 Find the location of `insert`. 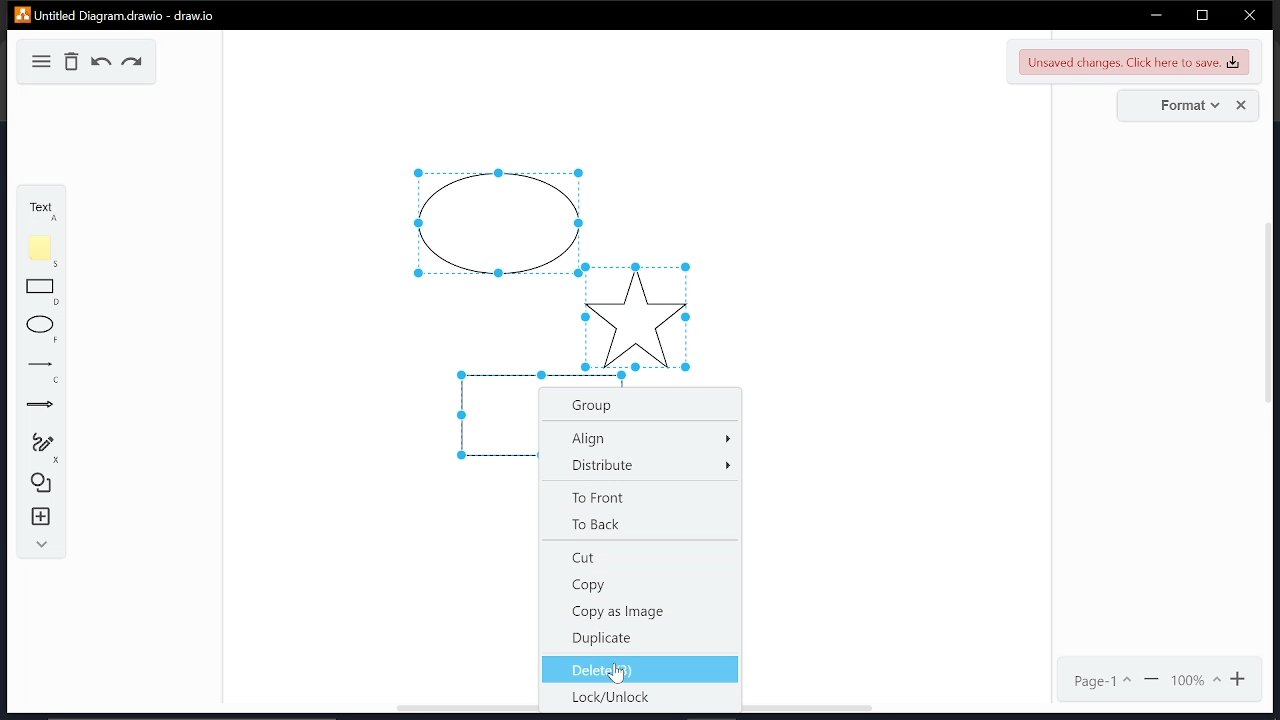

insert is located at coordinates (42, 517).